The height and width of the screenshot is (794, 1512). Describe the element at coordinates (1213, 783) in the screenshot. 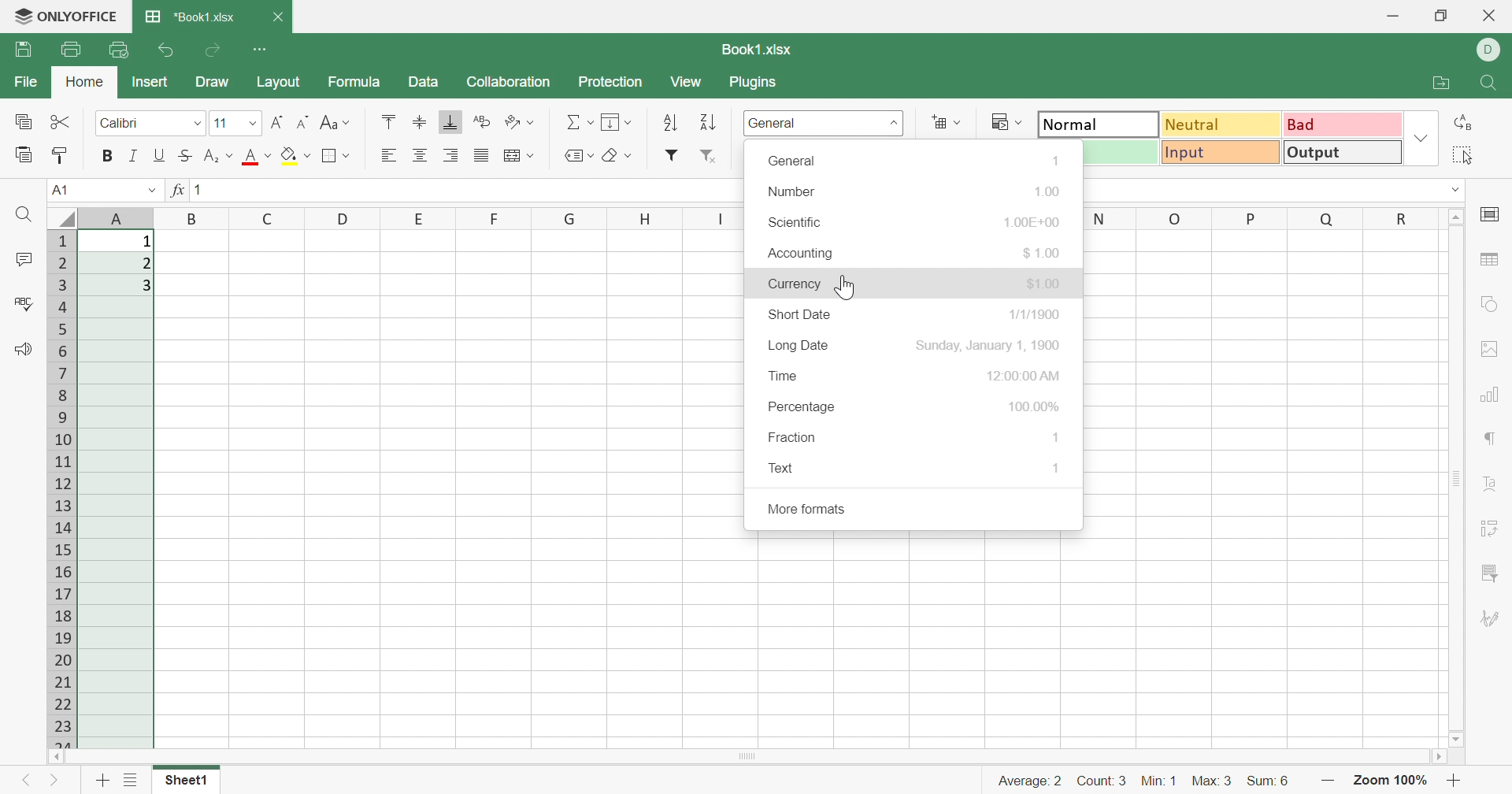

I see `Max: 3` at that location.